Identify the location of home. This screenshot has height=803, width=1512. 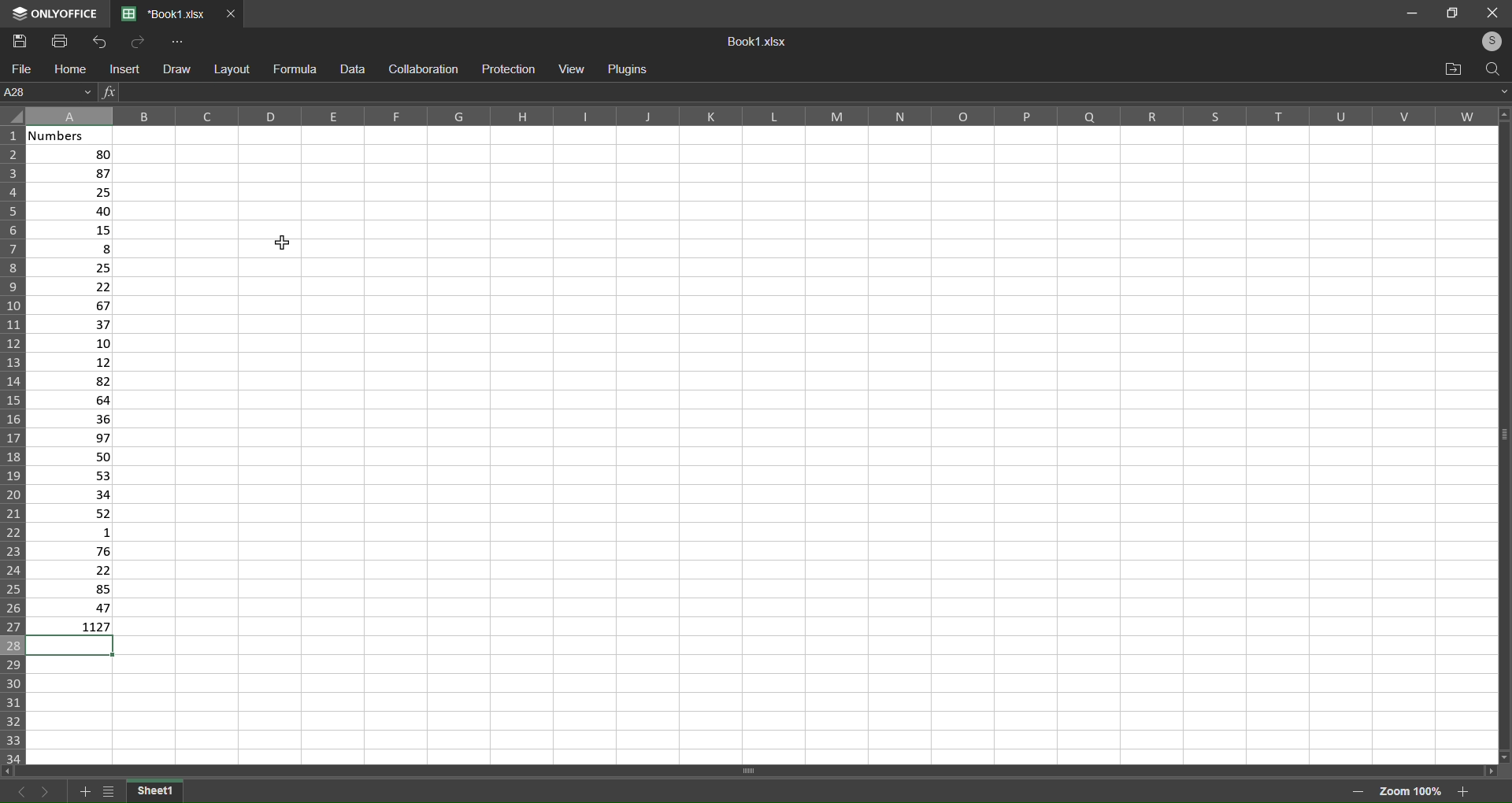
(69, 68).